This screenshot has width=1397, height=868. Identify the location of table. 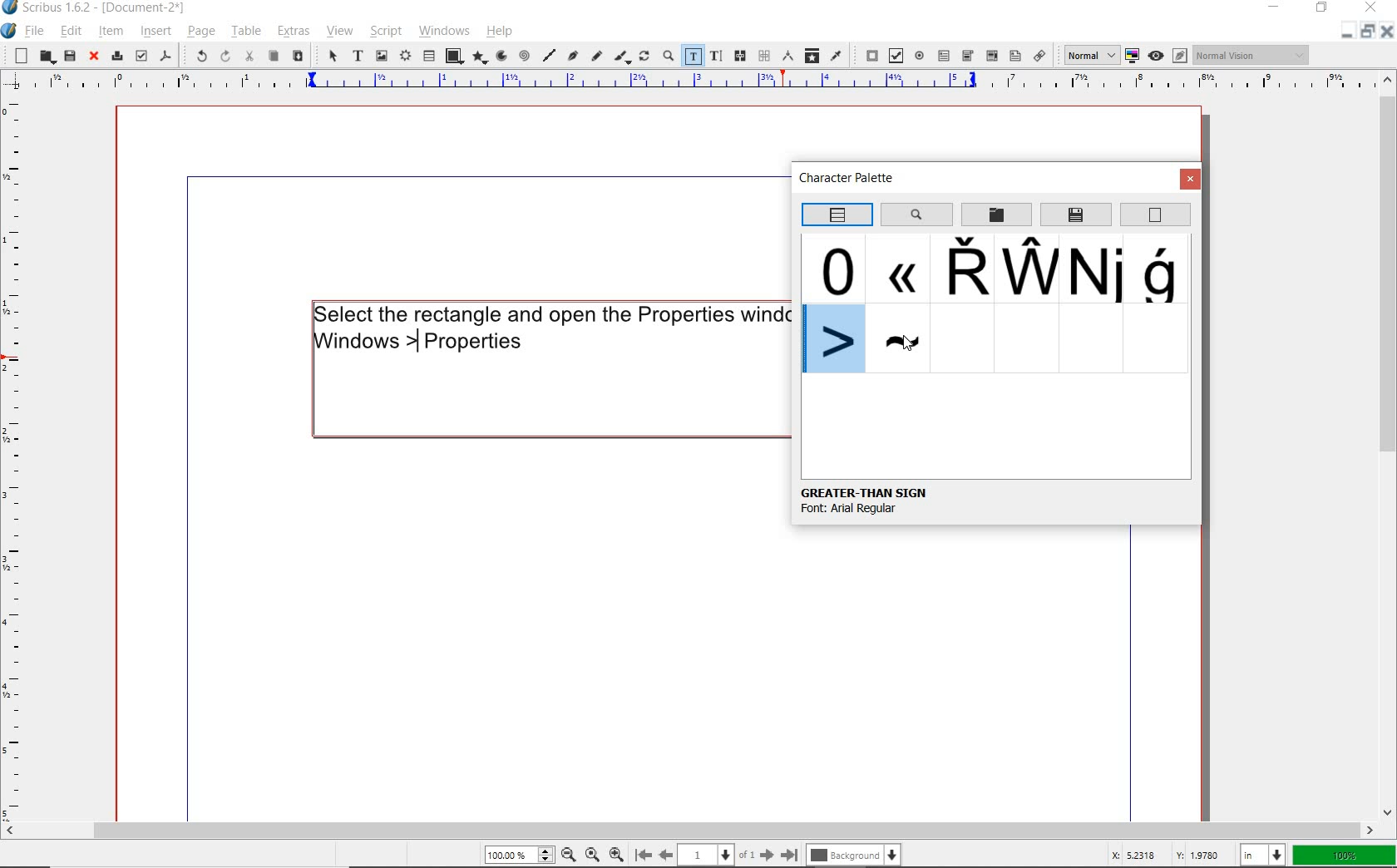
(245, 32).